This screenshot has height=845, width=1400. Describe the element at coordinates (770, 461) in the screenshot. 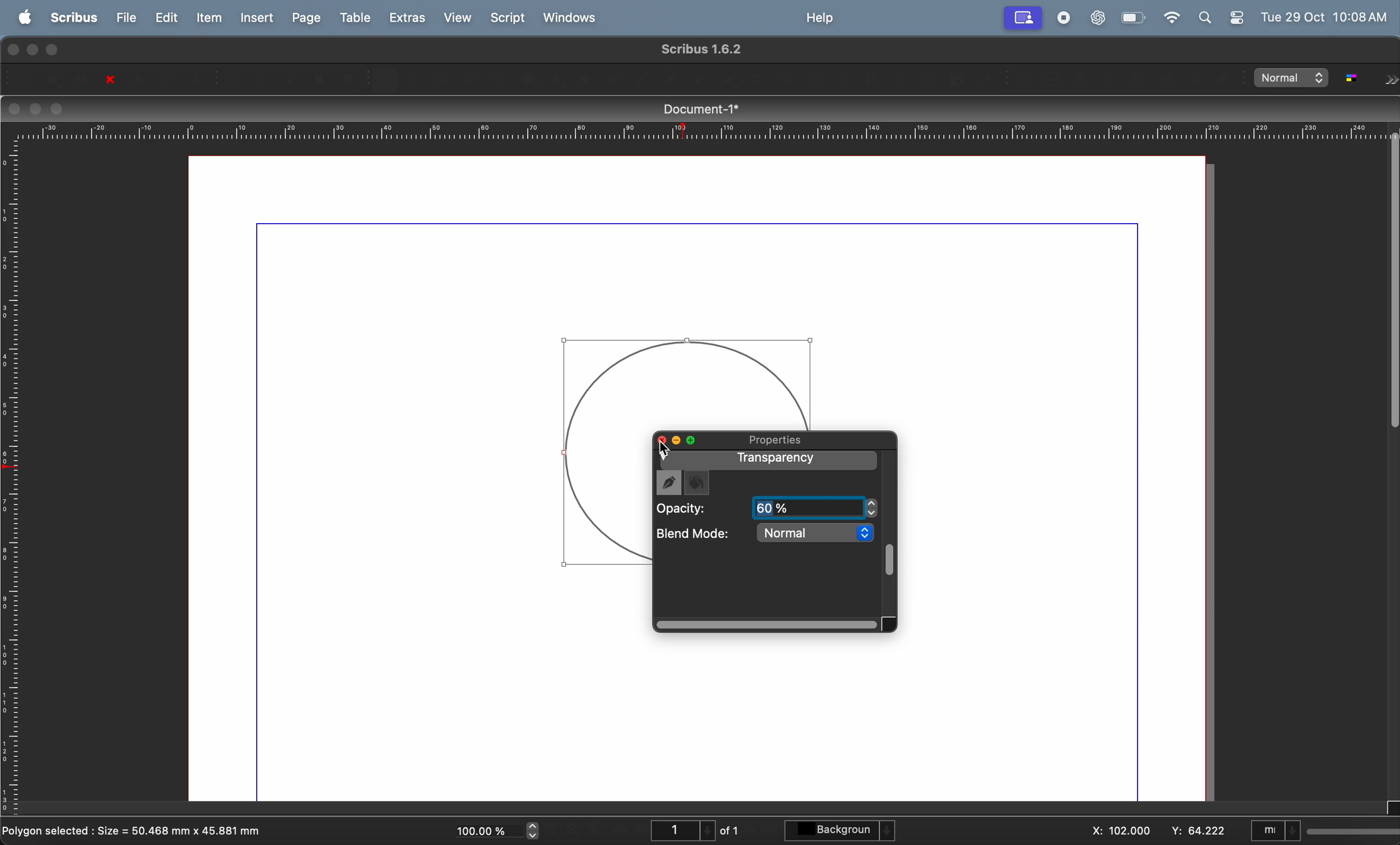

I see `transparency` at that location.